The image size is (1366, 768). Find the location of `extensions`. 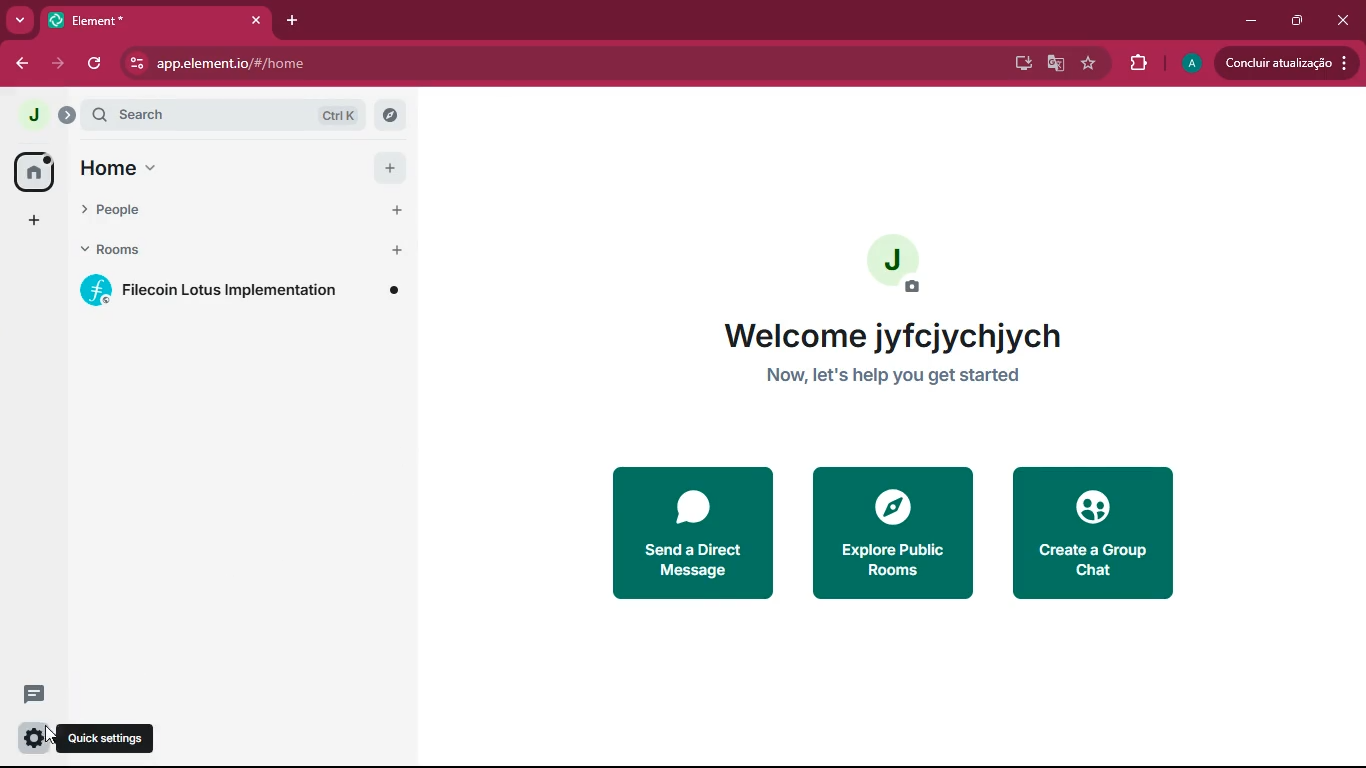

extensions is located at coordinates (1139, 63).